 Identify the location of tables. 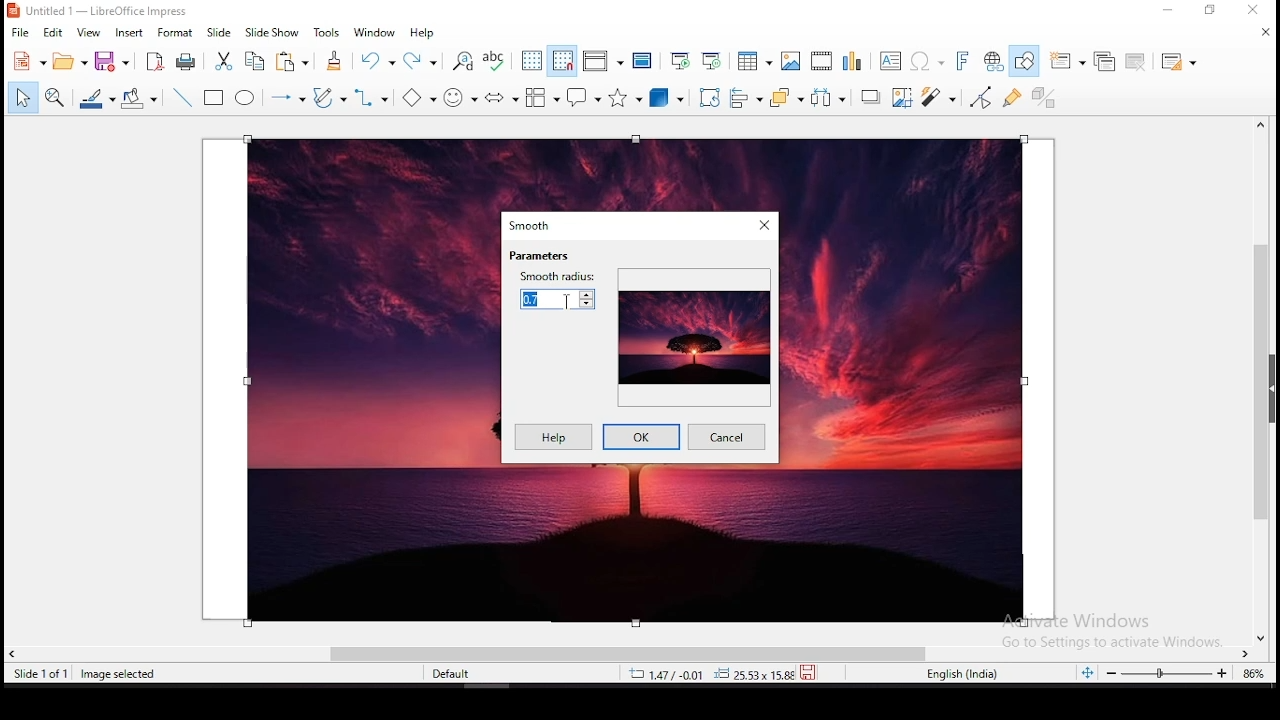
(752, 61).